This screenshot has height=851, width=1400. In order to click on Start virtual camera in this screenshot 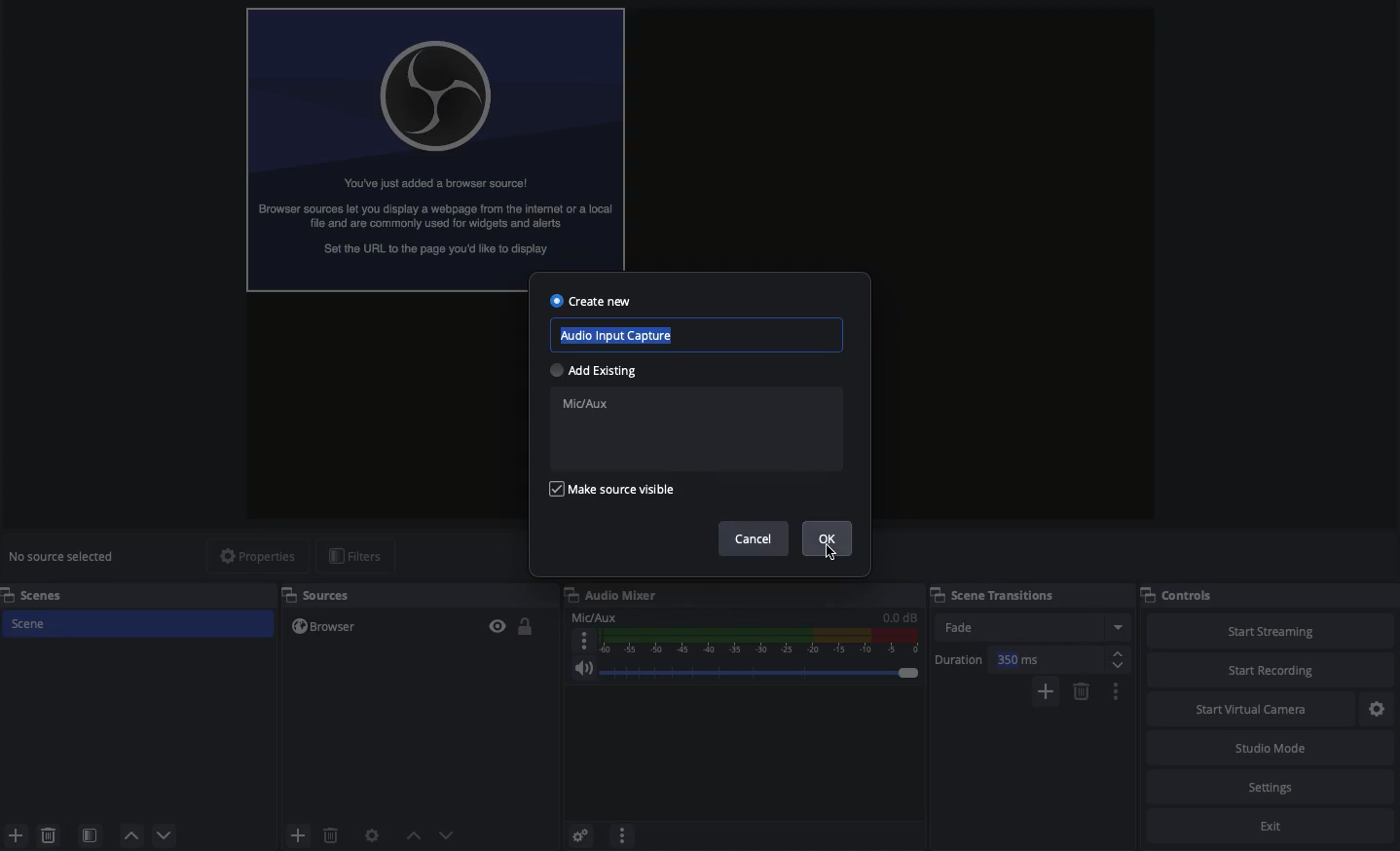, I will do `click(1246, 710)`.